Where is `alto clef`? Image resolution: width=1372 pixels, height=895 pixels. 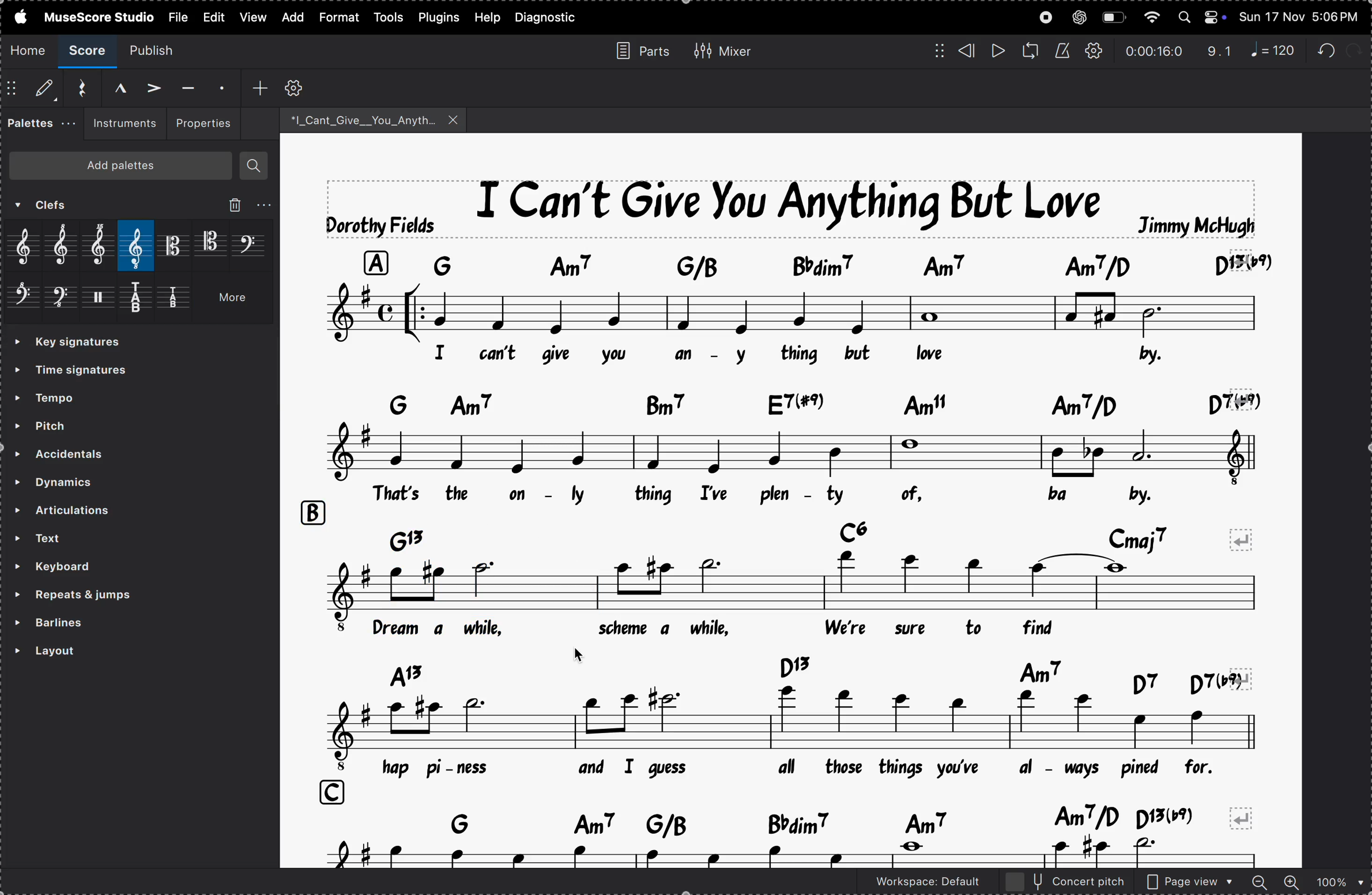
alto clef is located at coordinates (174, 245).